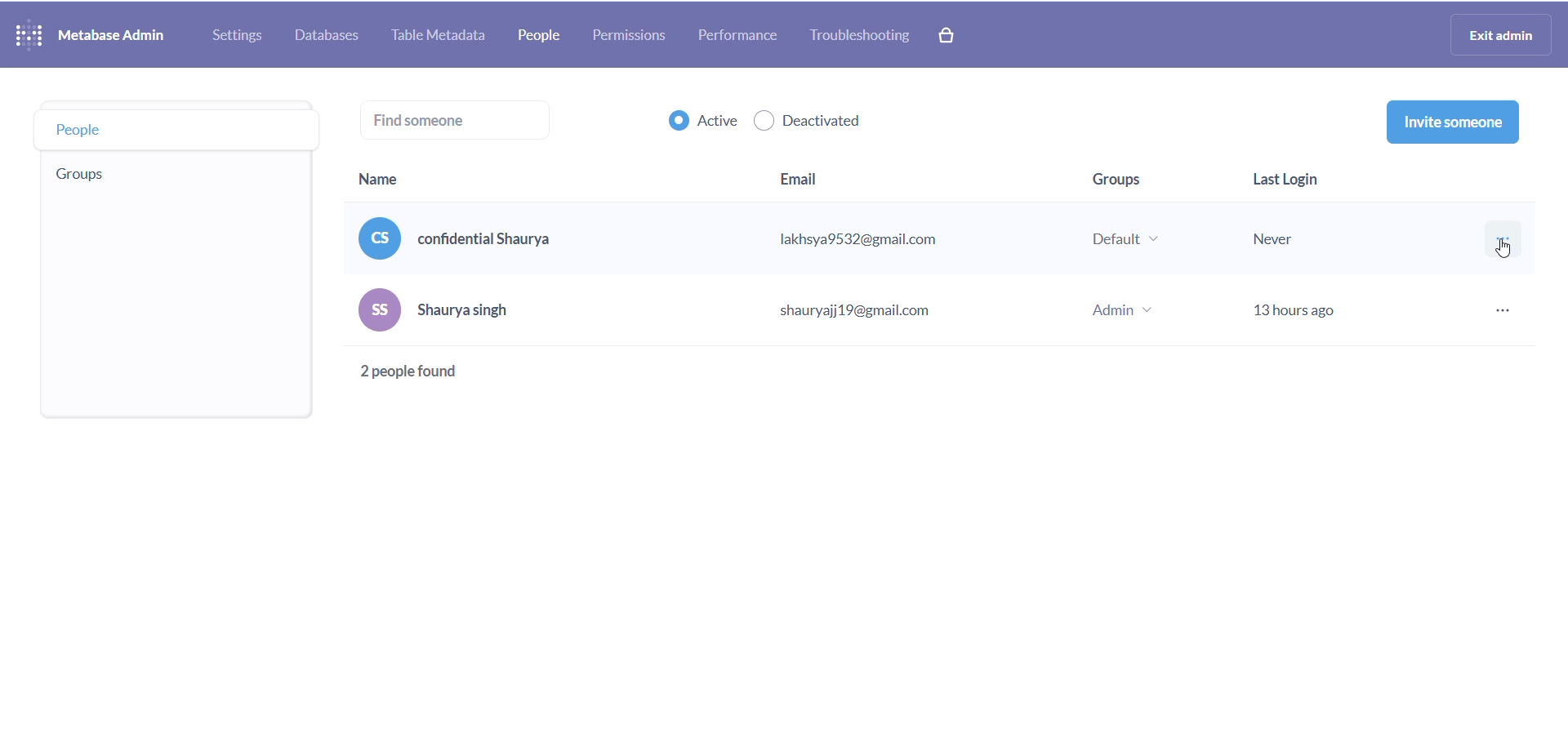 The width and height of the screenshot is (1568, 743). Describe the element at coordinates (1507, 253) in the screenshot. I see `cursor` at that location.